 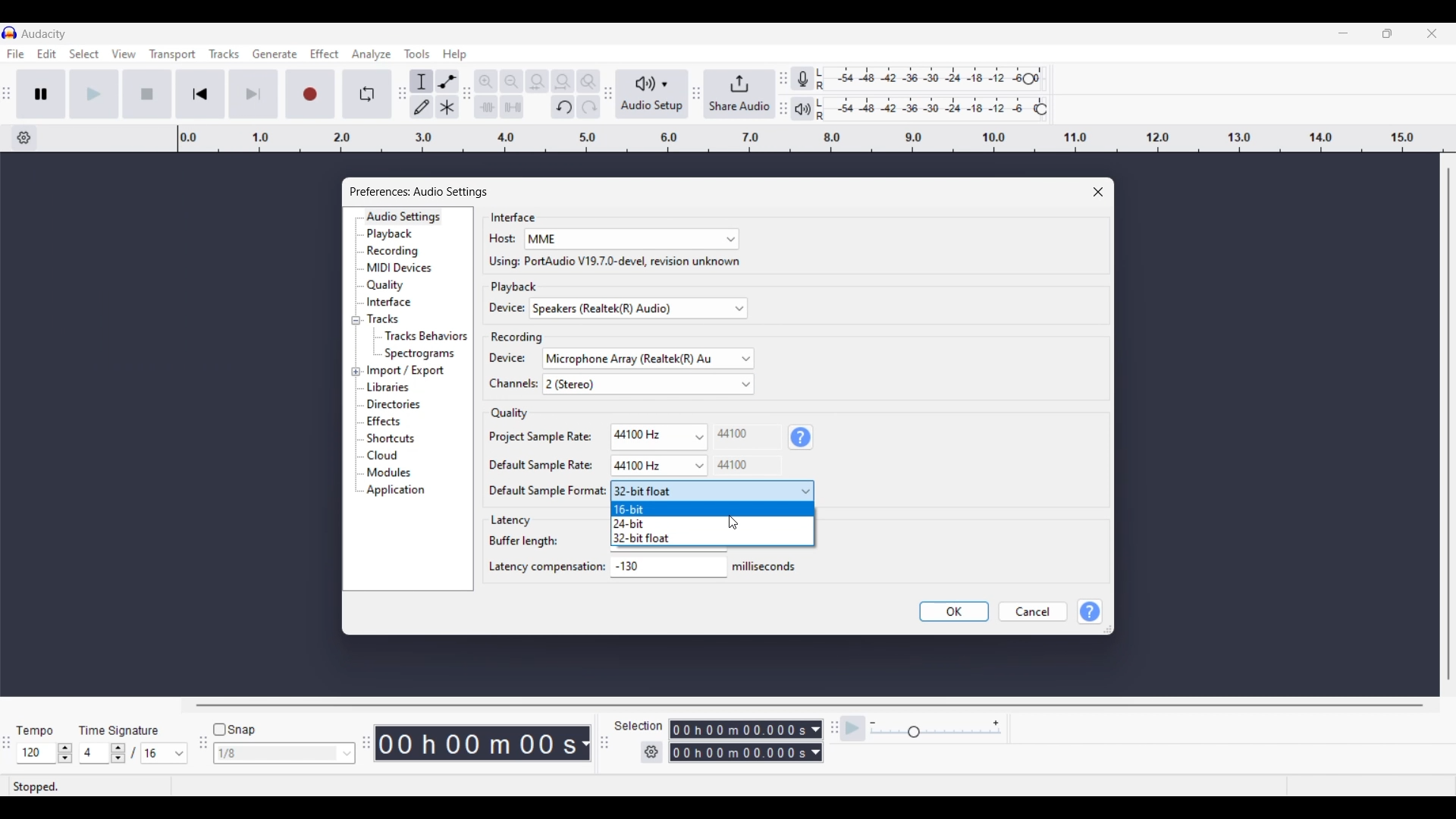 What do you see at coordinates (767, 566) in the screenshot?
I see `milliseconds` at bounding box center [767, 566].